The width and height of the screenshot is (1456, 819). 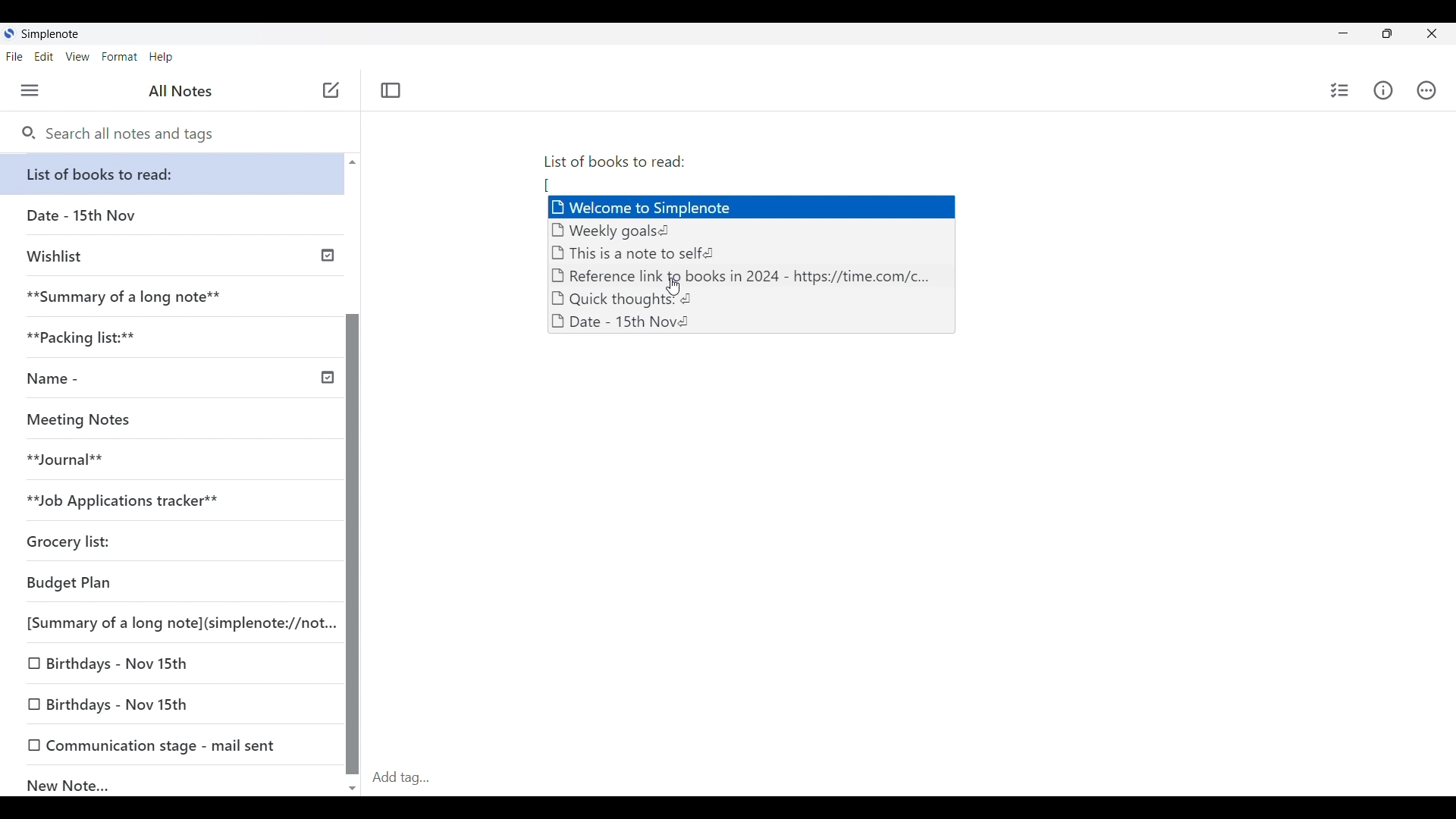 What do you see at coordinates (30, 91) in the screenshot?
I see `Menu` at bounding box center [30, 91].